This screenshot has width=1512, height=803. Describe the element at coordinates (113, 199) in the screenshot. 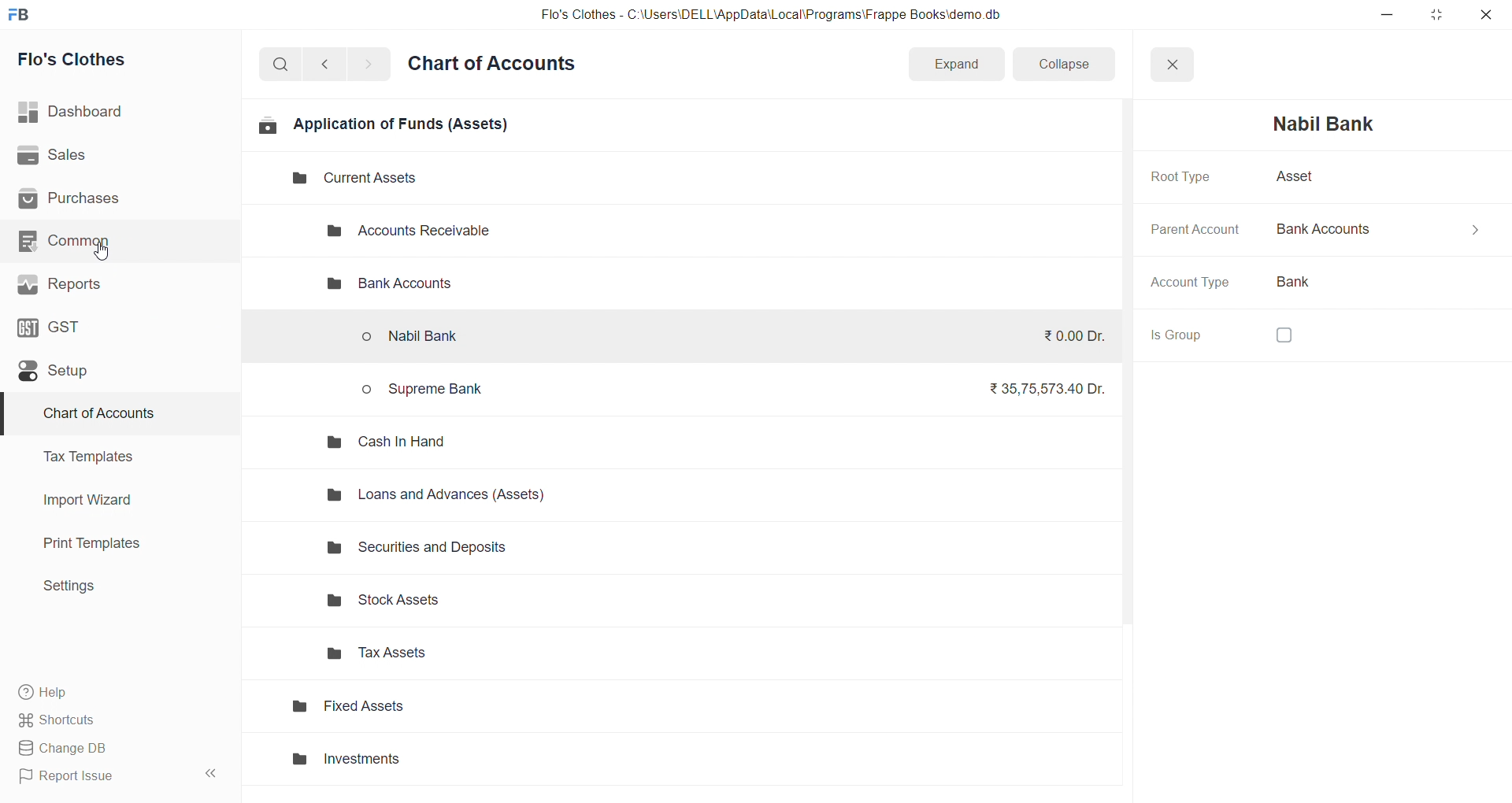

I see `Purchases` at that location.